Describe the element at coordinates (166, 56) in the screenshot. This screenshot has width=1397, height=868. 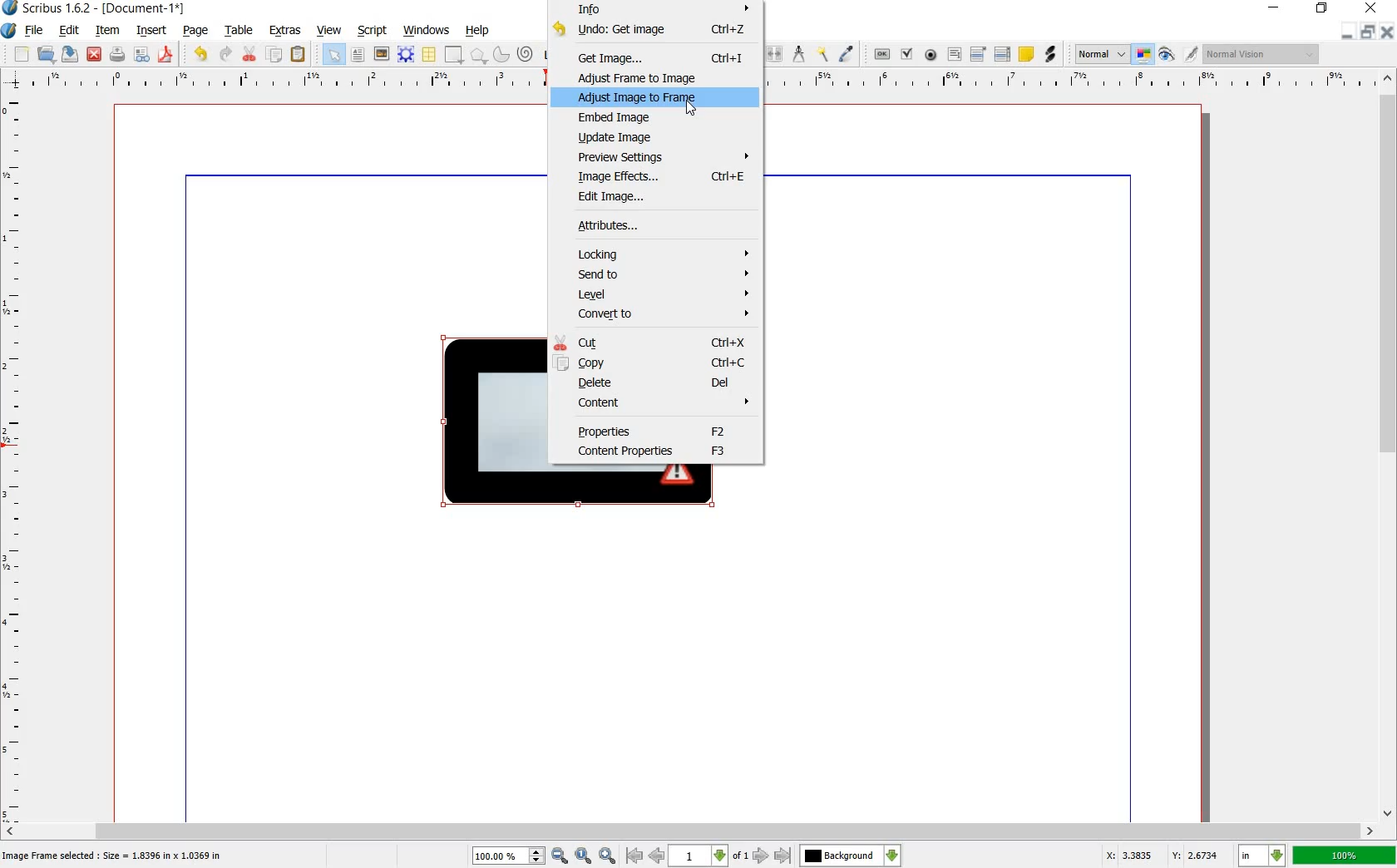
I see `save as pdf` at that location.